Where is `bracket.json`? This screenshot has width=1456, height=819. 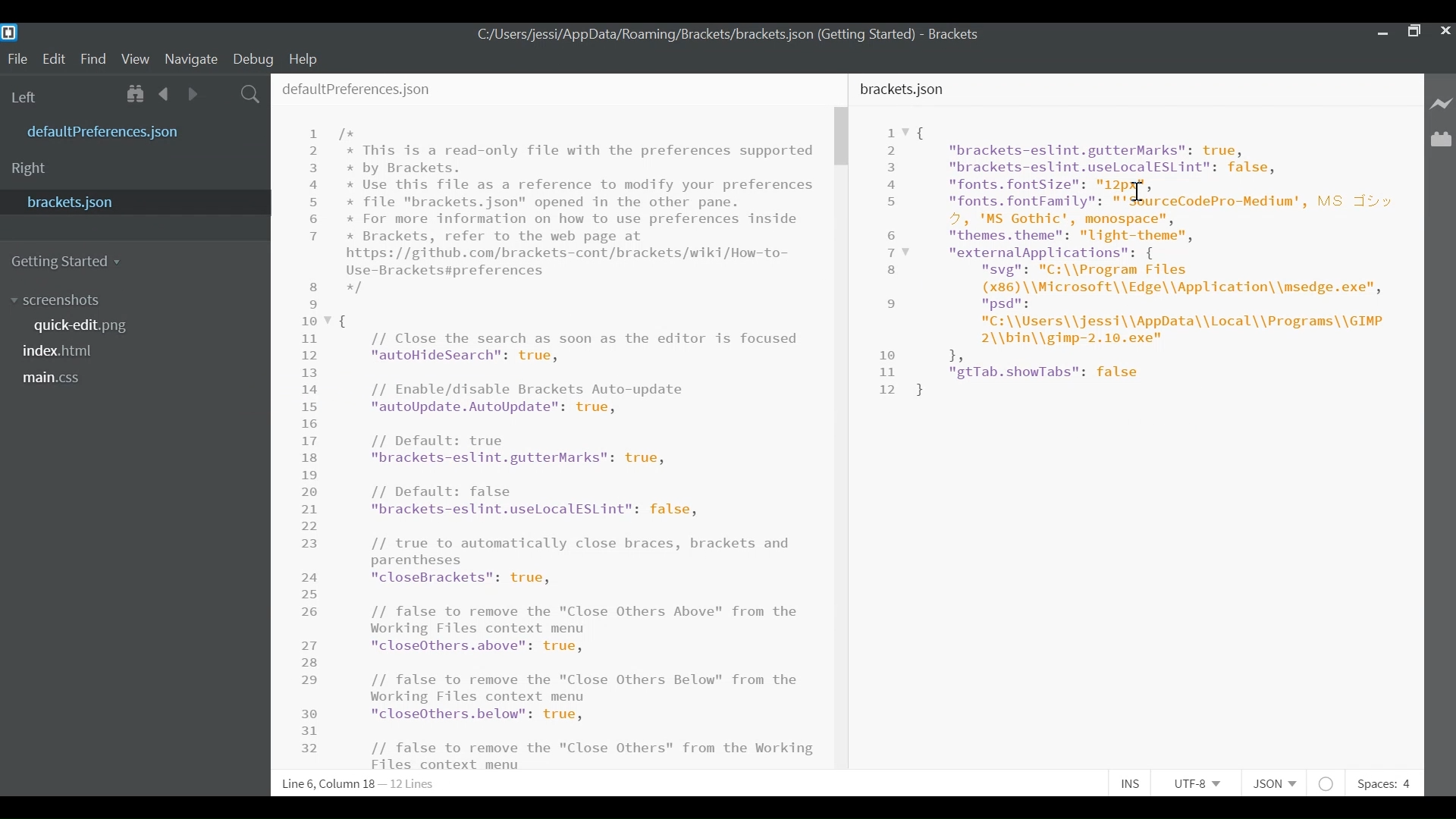
bracket.json is located at coordinates (130, 203).